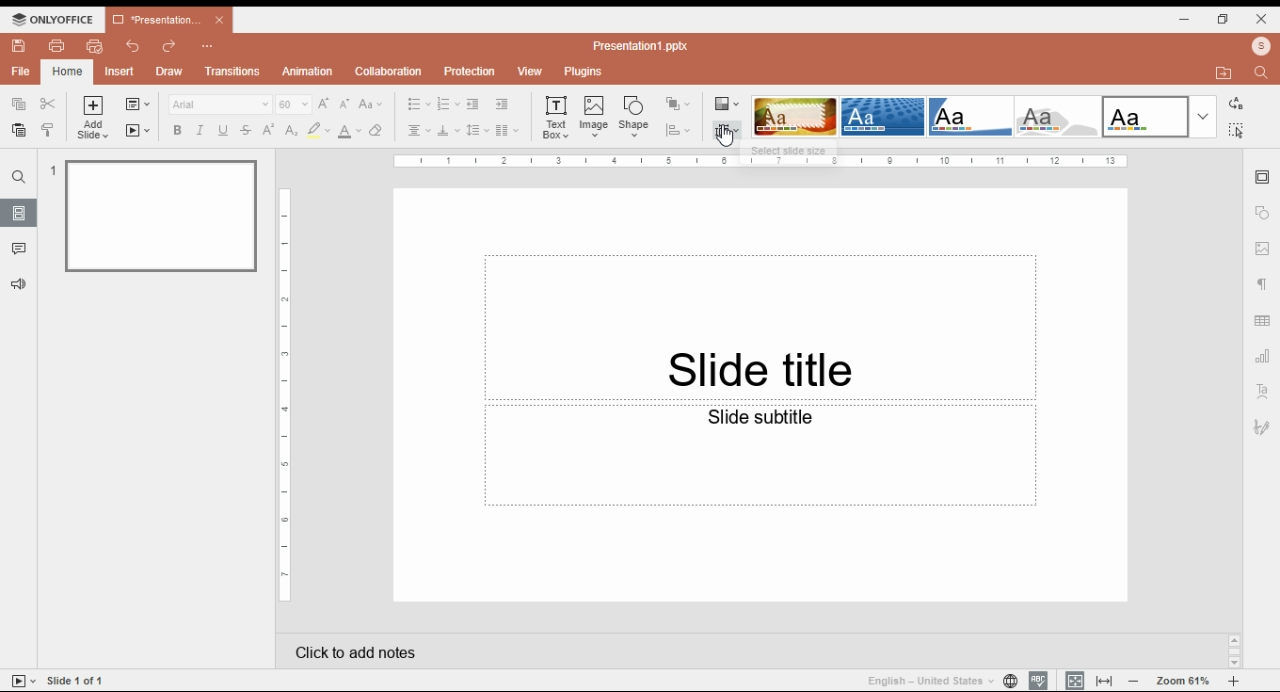 The width and height of the screenshot is (1280, 692). What do you see at coordinates (1134, 680) in the screenshot?
I see `zoom out` at bounding box center [1134, 680].